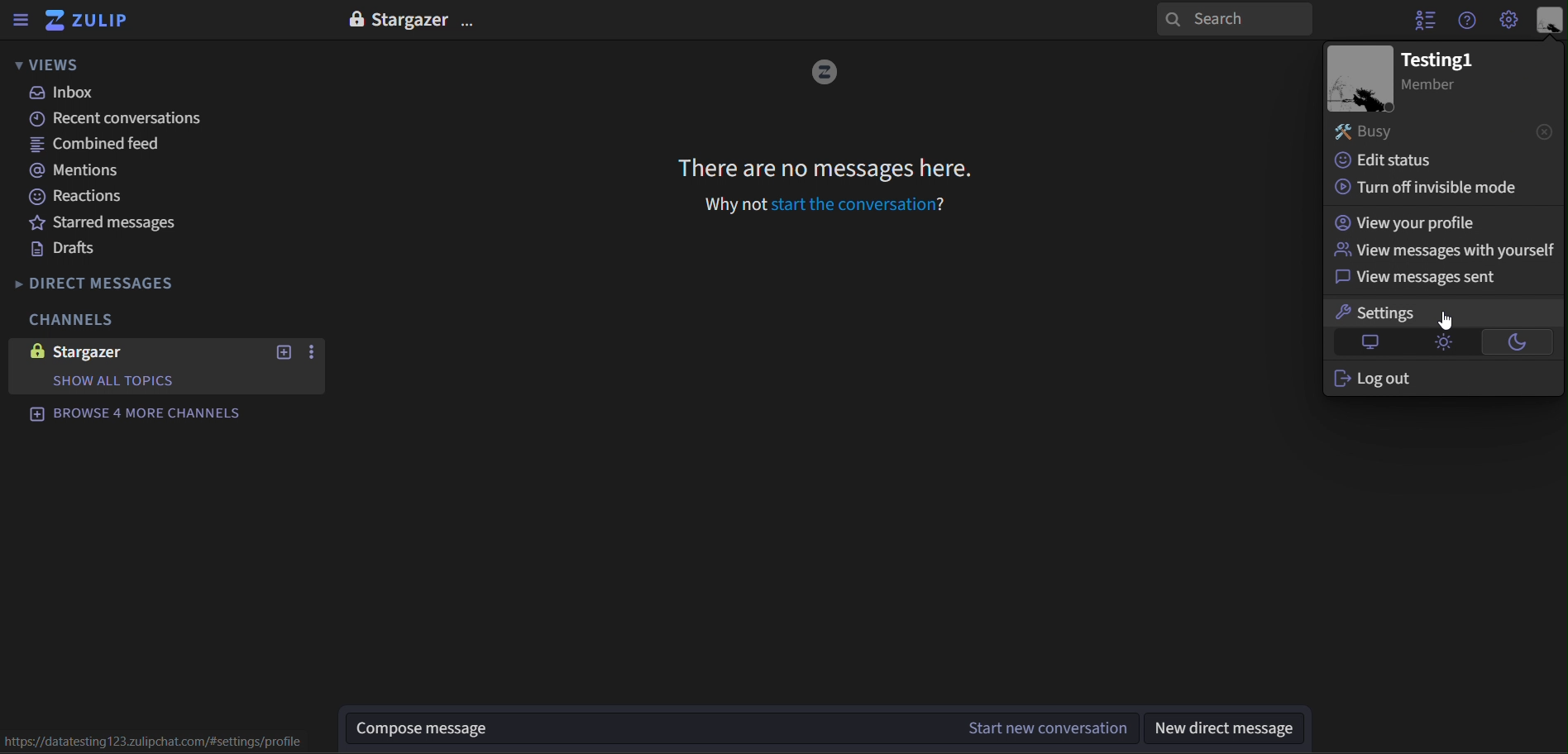 This screenshot has height=754, width=1568. I want to click on Start the conversation, so click(858, 204).